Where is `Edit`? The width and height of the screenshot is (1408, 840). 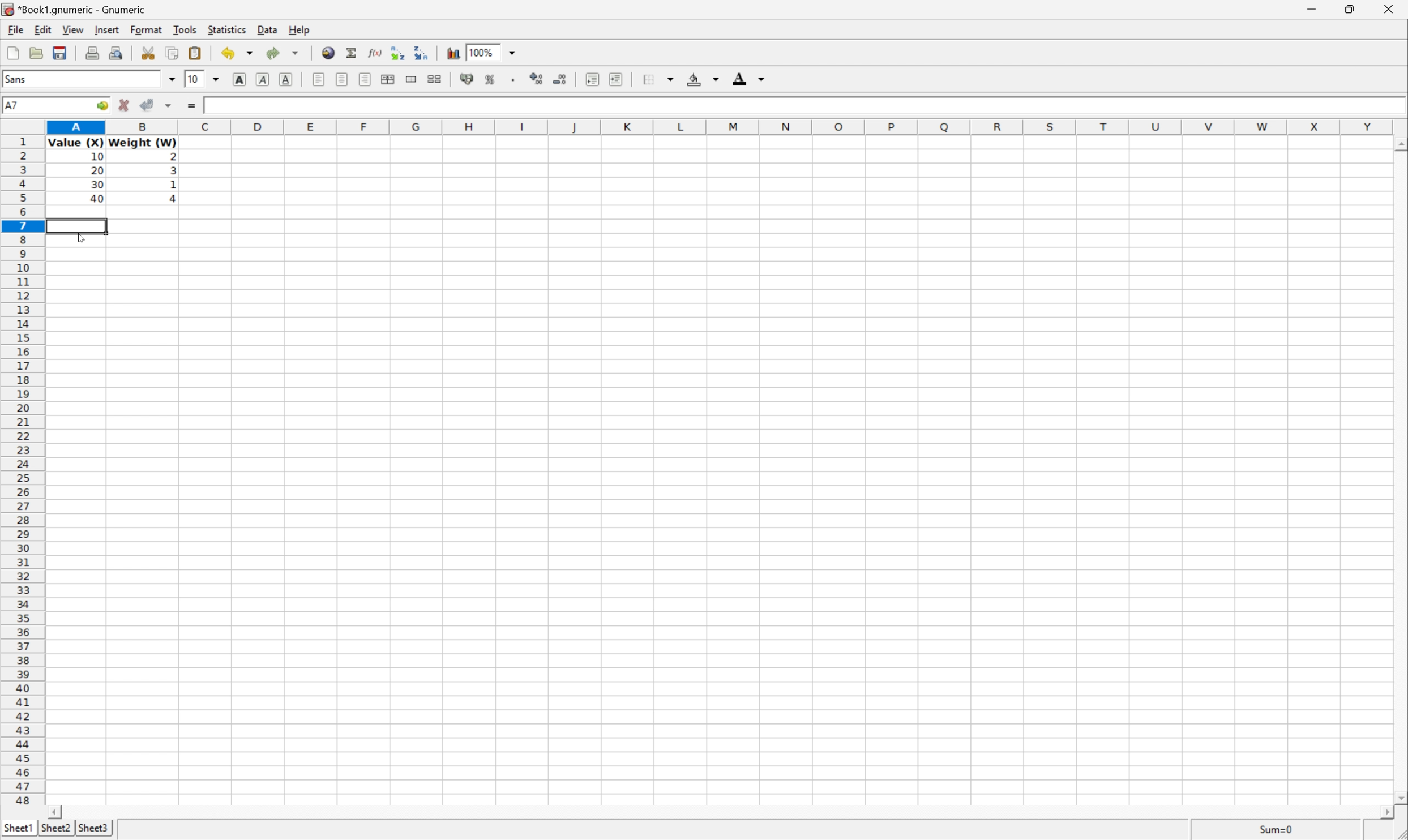
Edit is located at coordinates (43, 29).